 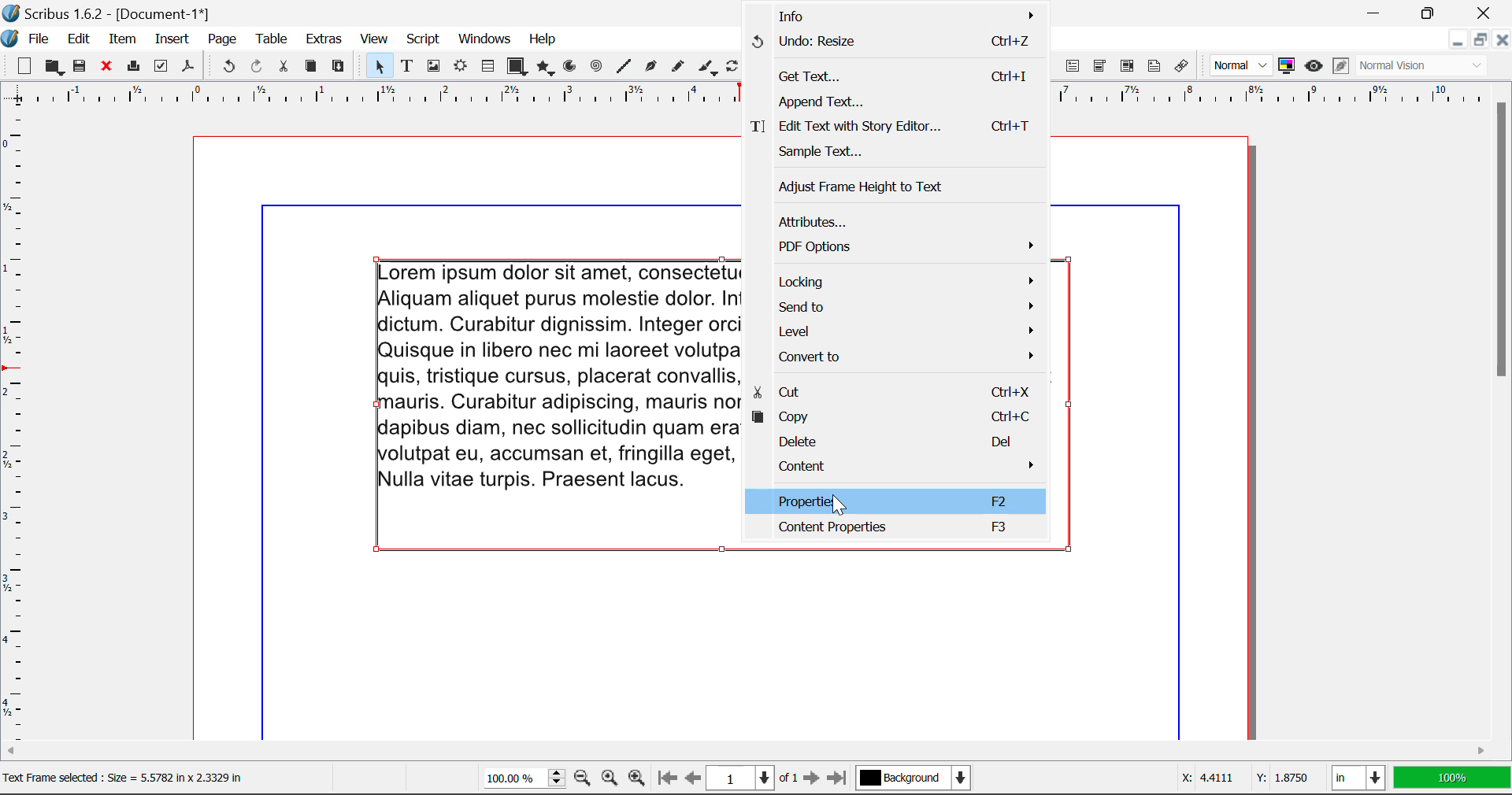 I want to click on First Page, so click(x=665, y=779).